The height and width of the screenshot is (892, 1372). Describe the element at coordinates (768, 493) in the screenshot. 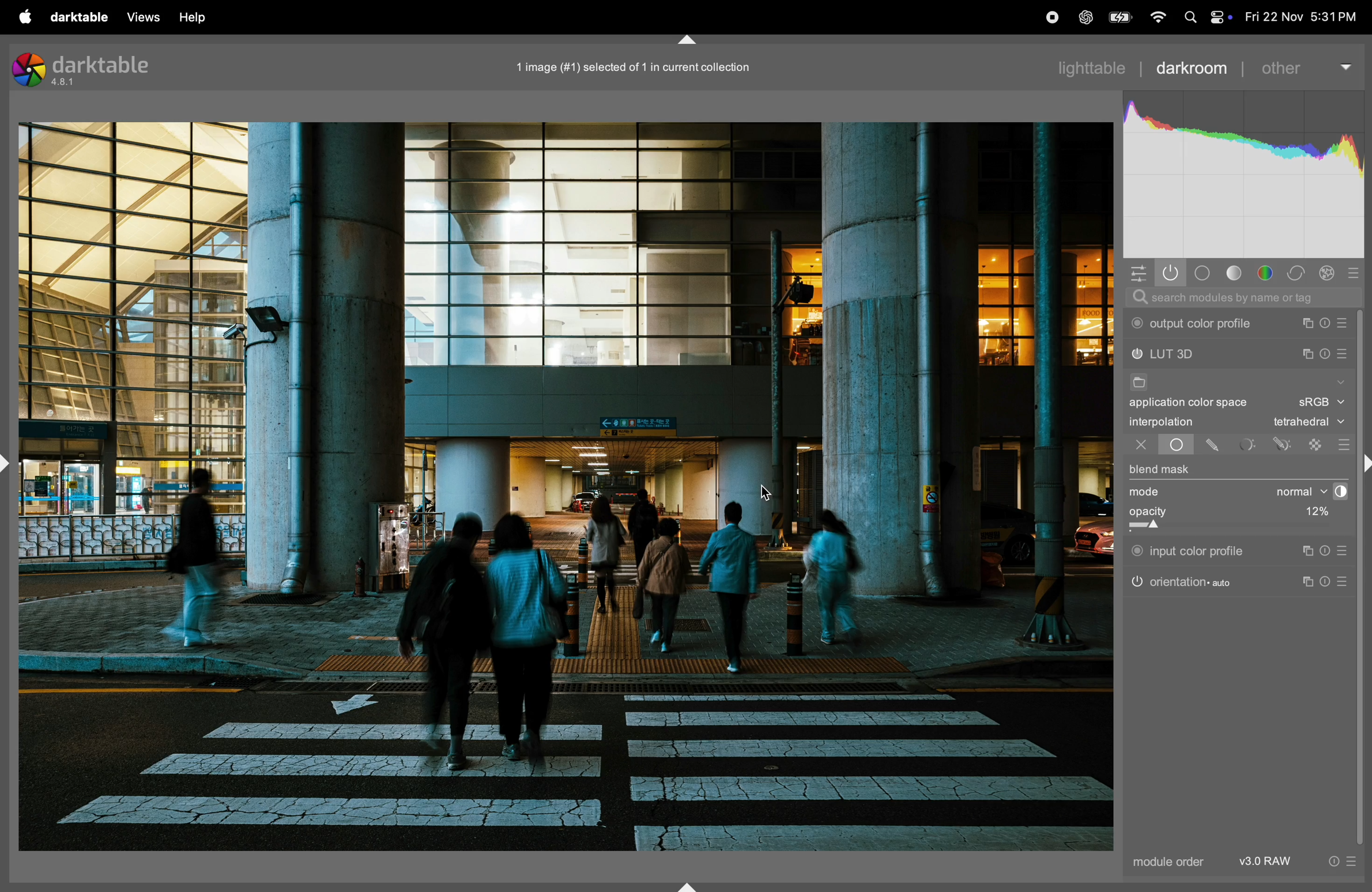

I see `cursor` at that location.